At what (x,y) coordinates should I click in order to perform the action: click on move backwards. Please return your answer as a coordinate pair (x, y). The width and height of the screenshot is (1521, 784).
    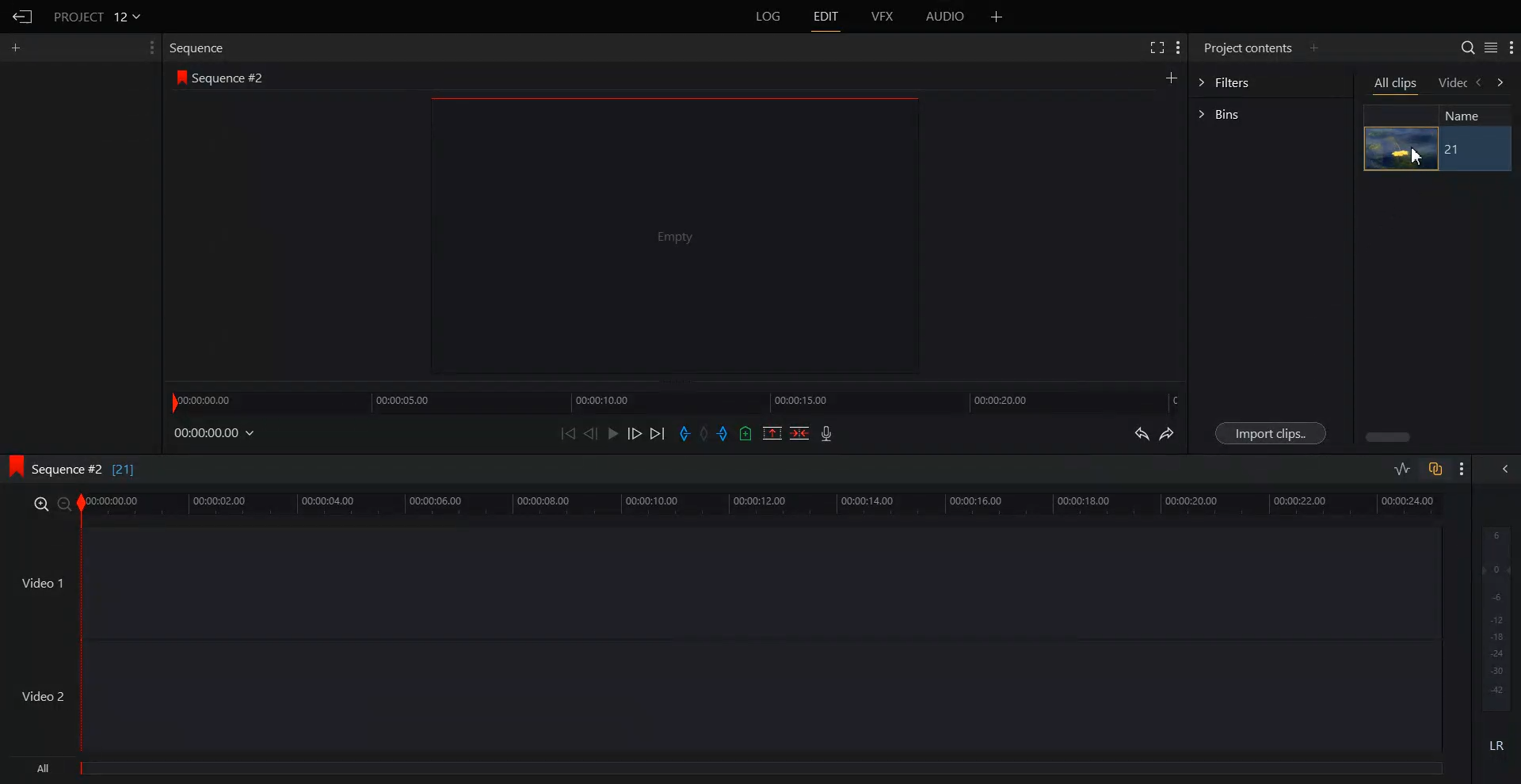
    Looking at the image, I should click on (1480, 83).